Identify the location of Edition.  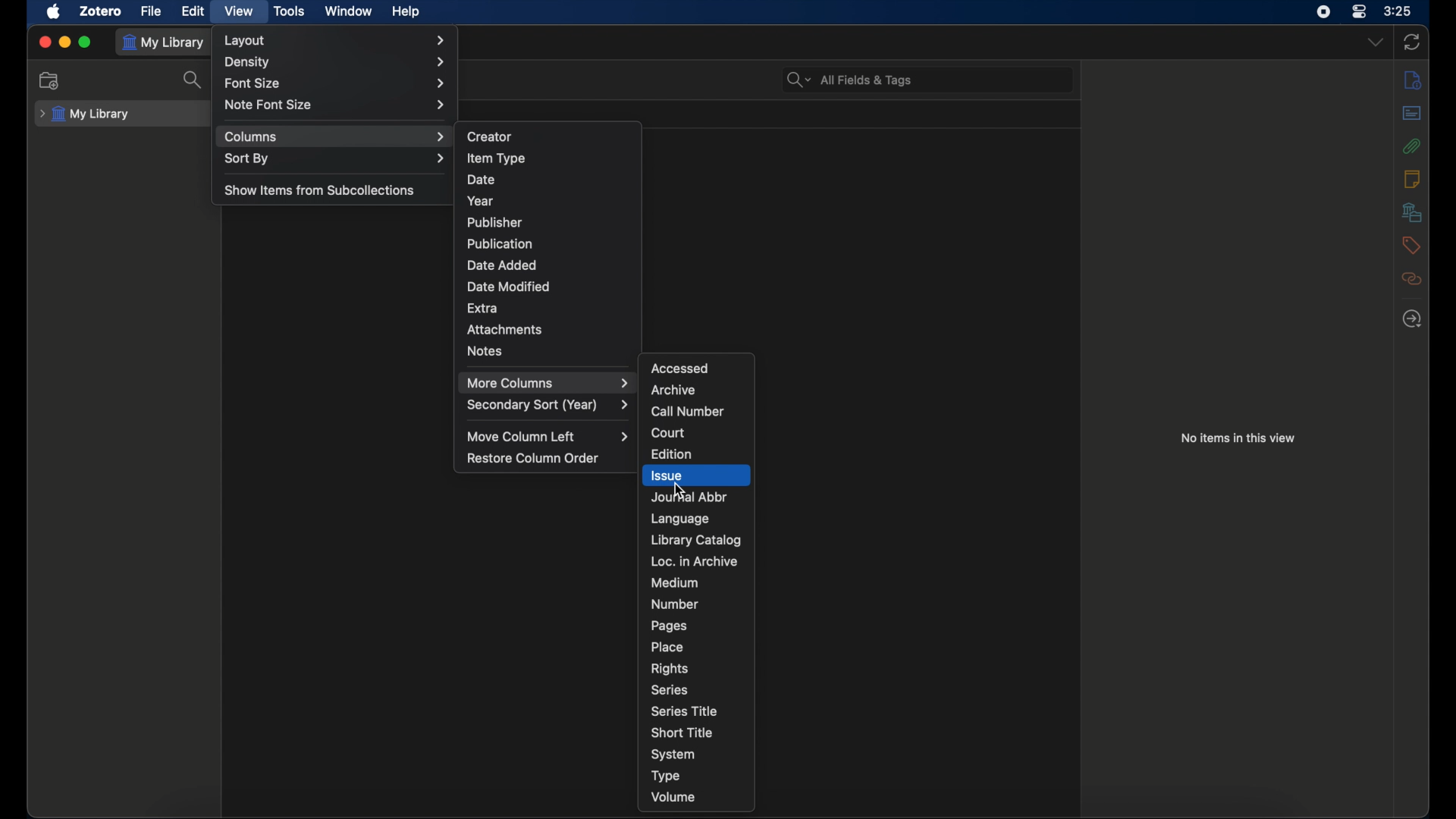
(671, 454).